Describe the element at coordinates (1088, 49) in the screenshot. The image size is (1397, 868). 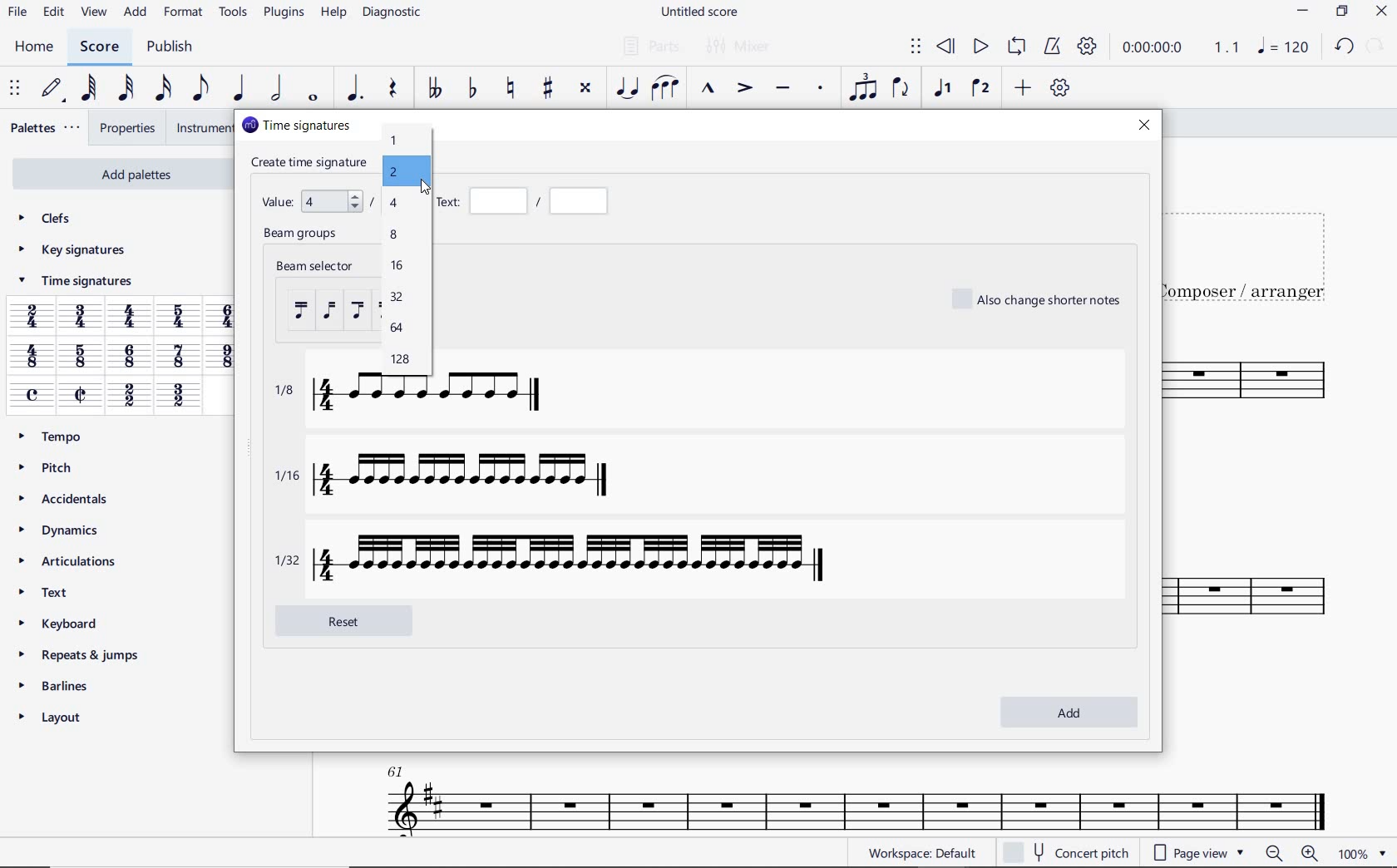
I see `PLAYBACK SETTINGS` at that location.